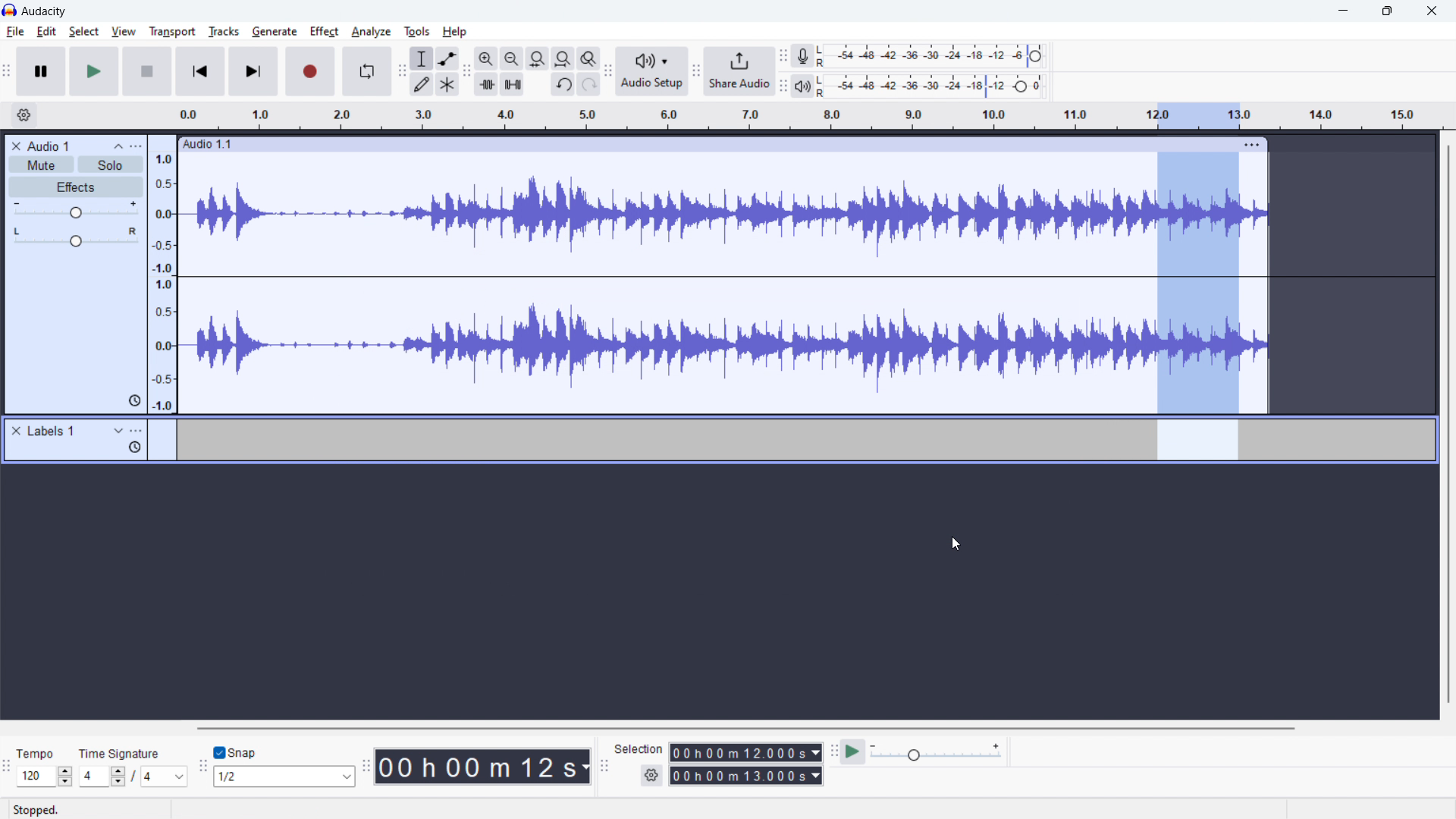  What do you see at coordinates (802, 87) in the screenshot?
I see `playback meter` at bounding box center [802, 87].